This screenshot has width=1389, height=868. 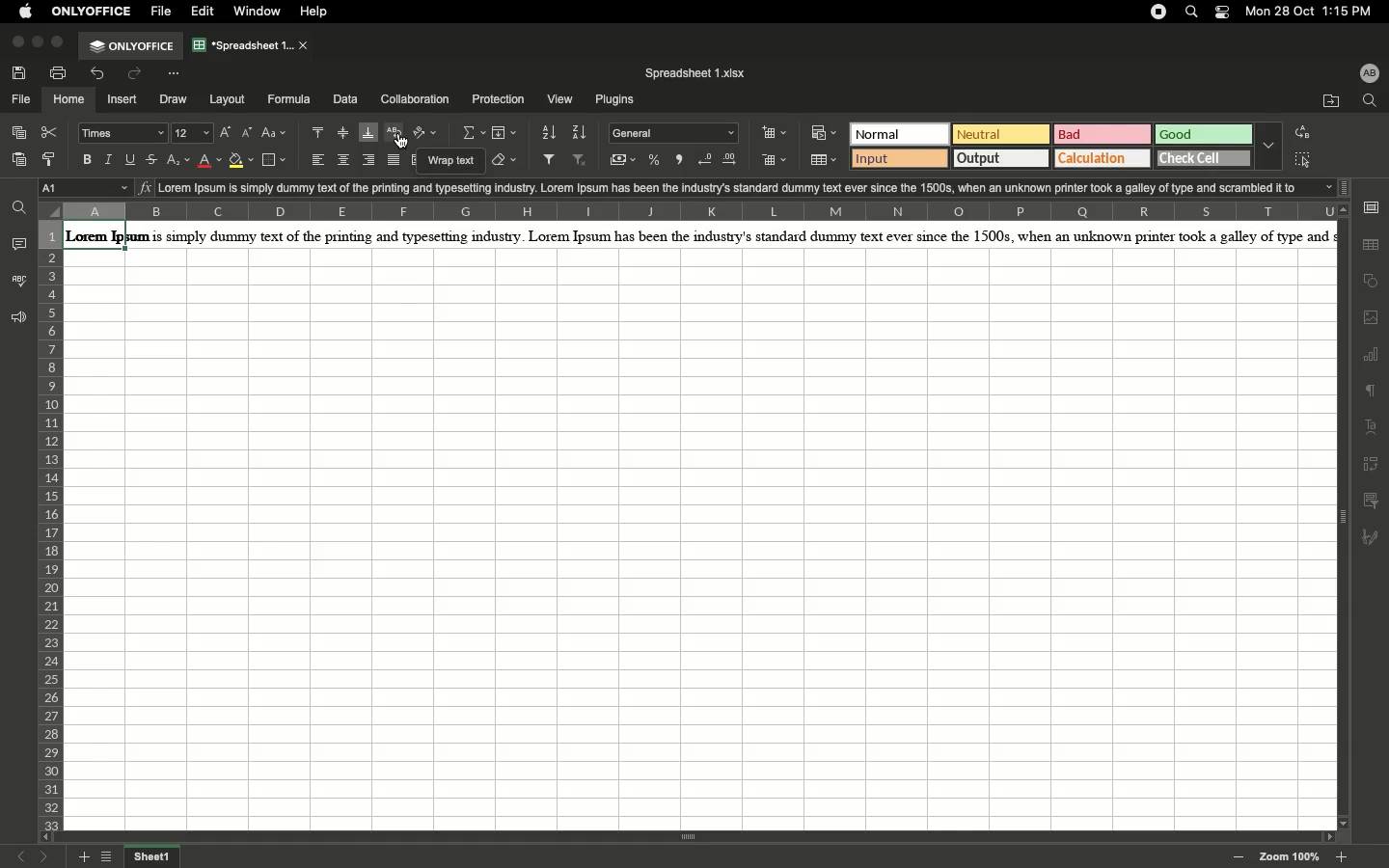 I want to click on Paste, so click(x=20, y=162).